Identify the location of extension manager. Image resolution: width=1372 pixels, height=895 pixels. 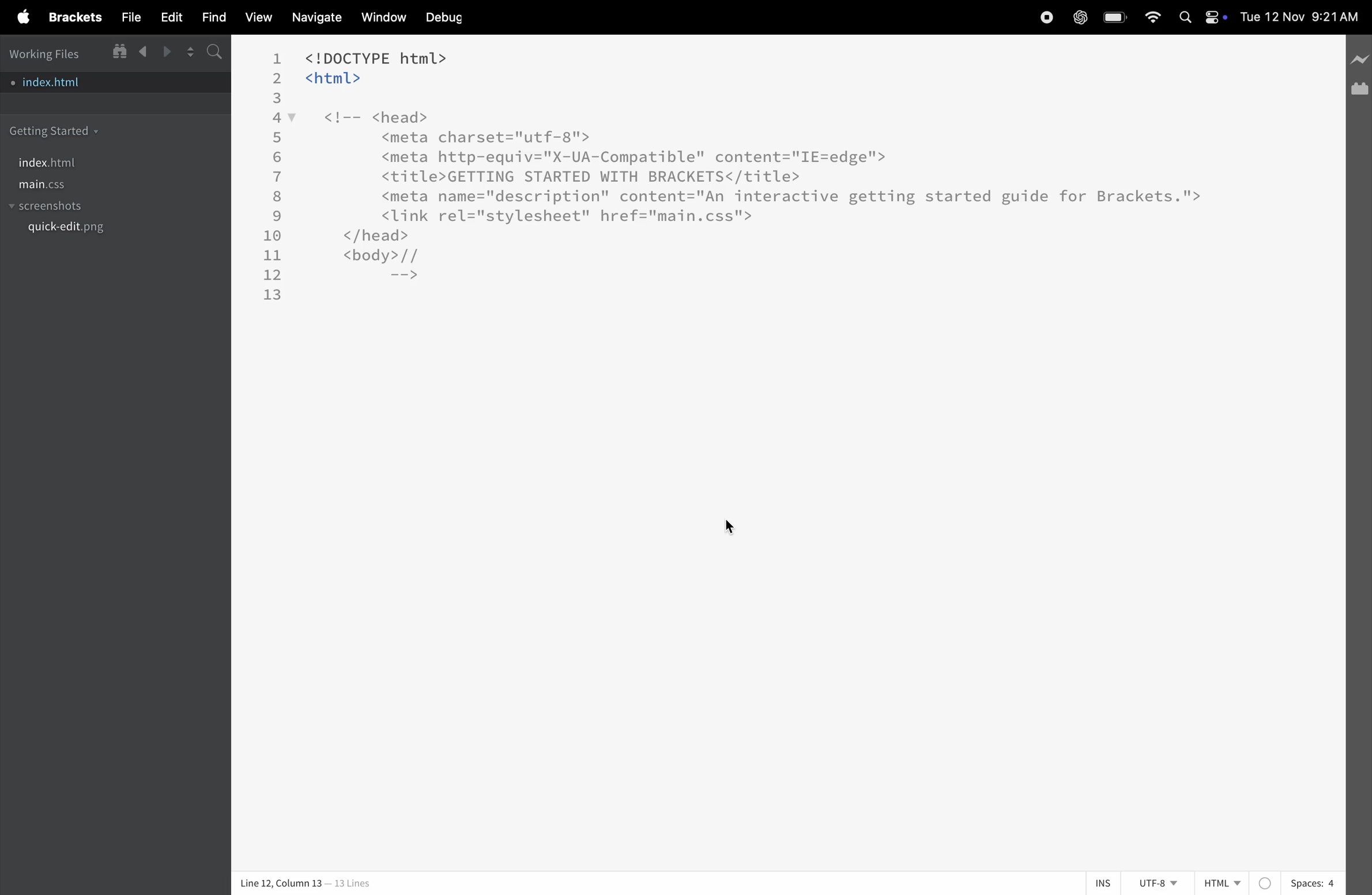
(1359, 90).